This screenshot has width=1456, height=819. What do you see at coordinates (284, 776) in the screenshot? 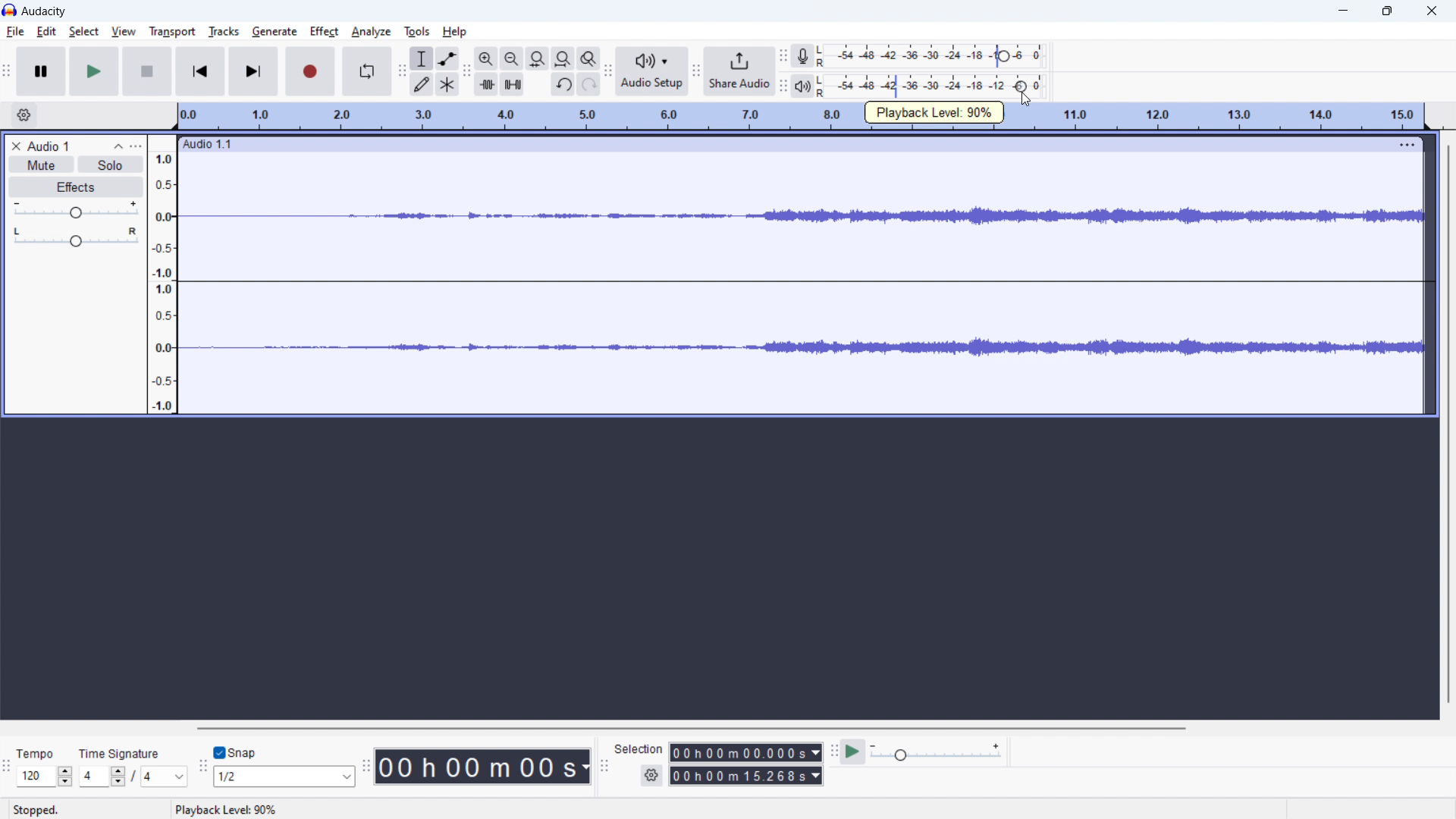
I see `select snap` at bounding box center [284, 776].